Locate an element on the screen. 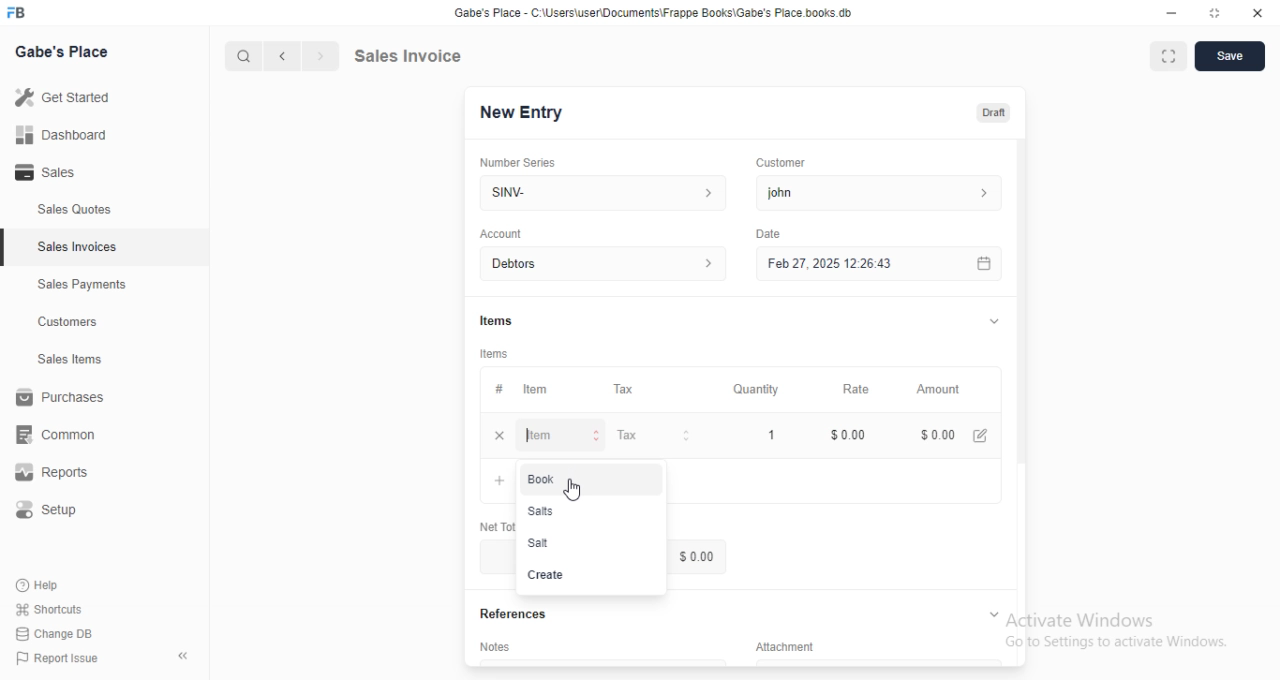 The width and height of the screenshot is (1280, 680). Date is located at coordinates (770, 232).